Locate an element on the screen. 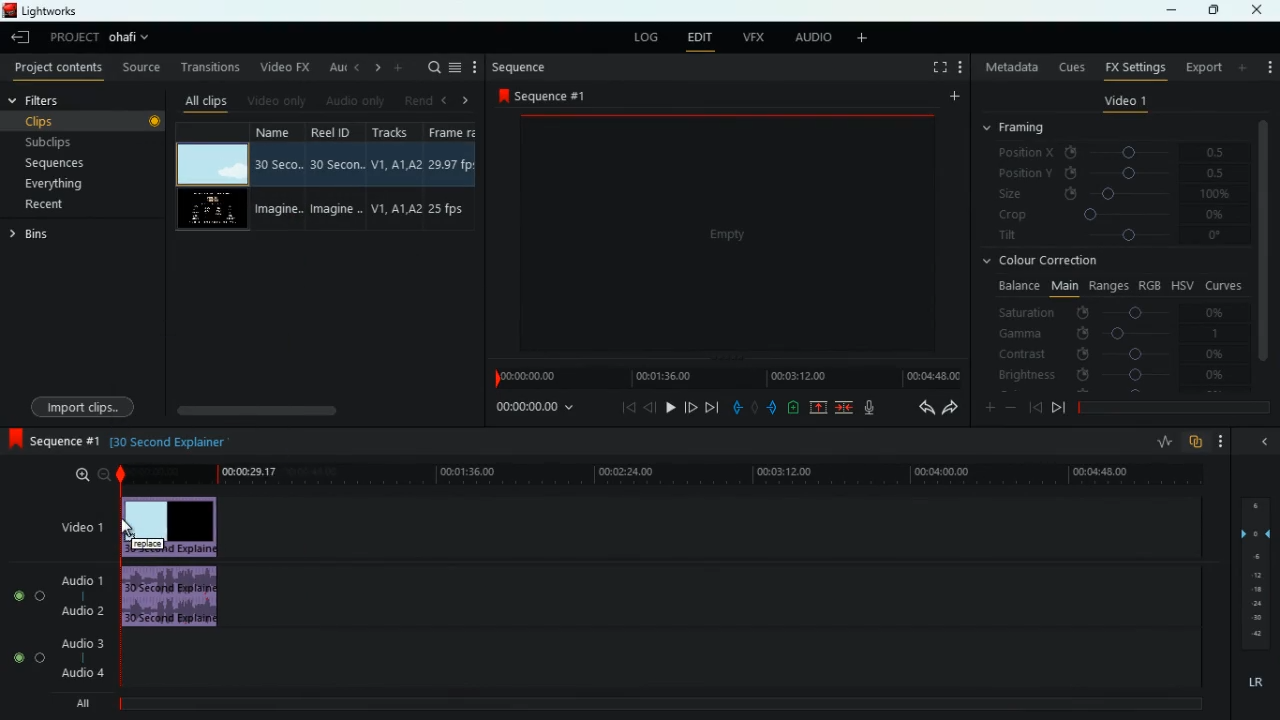 This screenshot has height=720, width=1280. merge is located at coordinates (845, 408).